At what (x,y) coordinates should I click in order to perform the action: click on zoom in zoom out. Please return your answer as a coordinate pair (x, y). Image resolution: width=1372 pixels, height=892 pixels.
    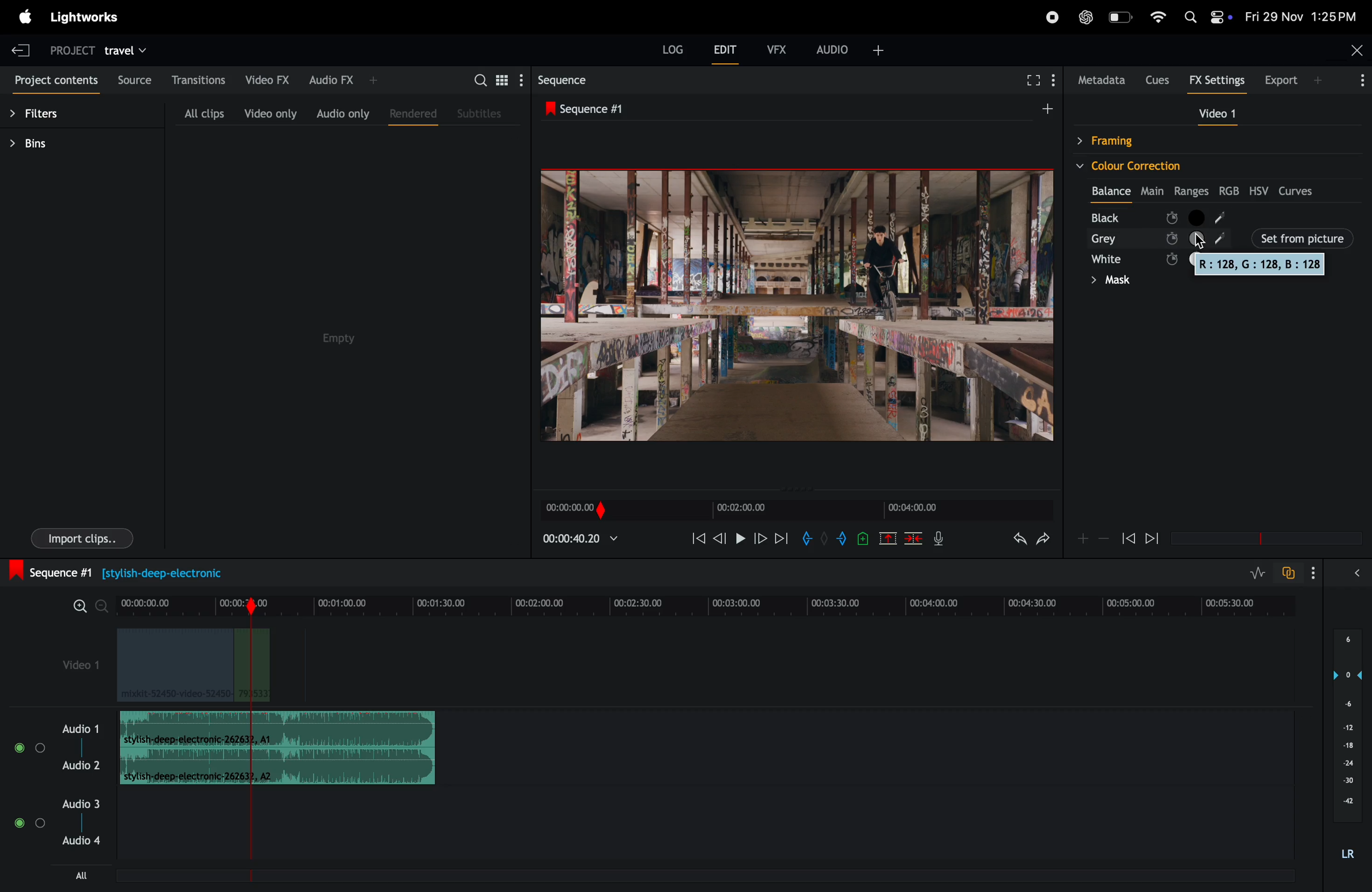
    Looking at the image, I should click on (1092, 538).